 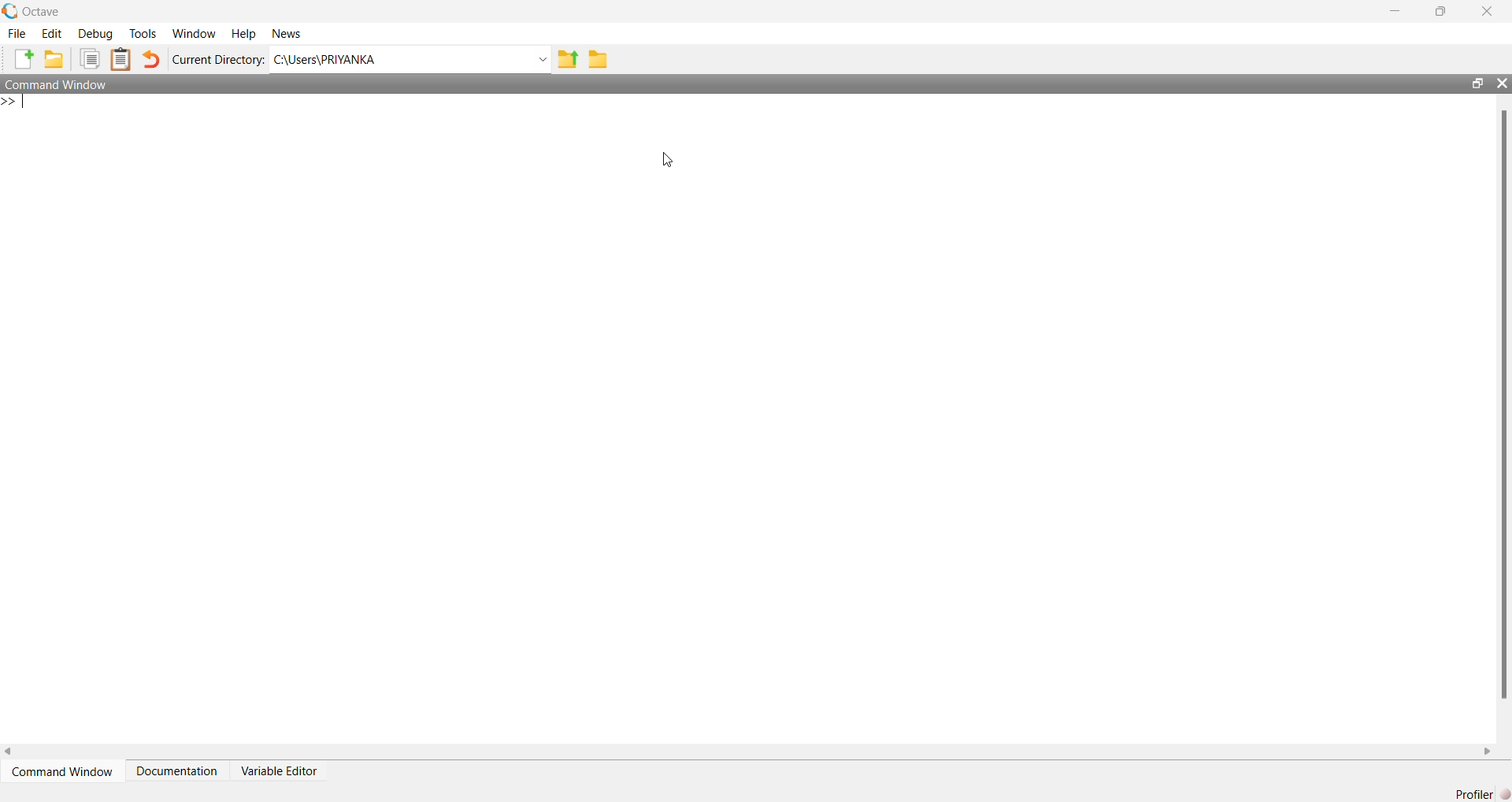 What do you see at coordinates (52, 34) in the screenshot?
I see `Edit` at bounding box center [52, 34].